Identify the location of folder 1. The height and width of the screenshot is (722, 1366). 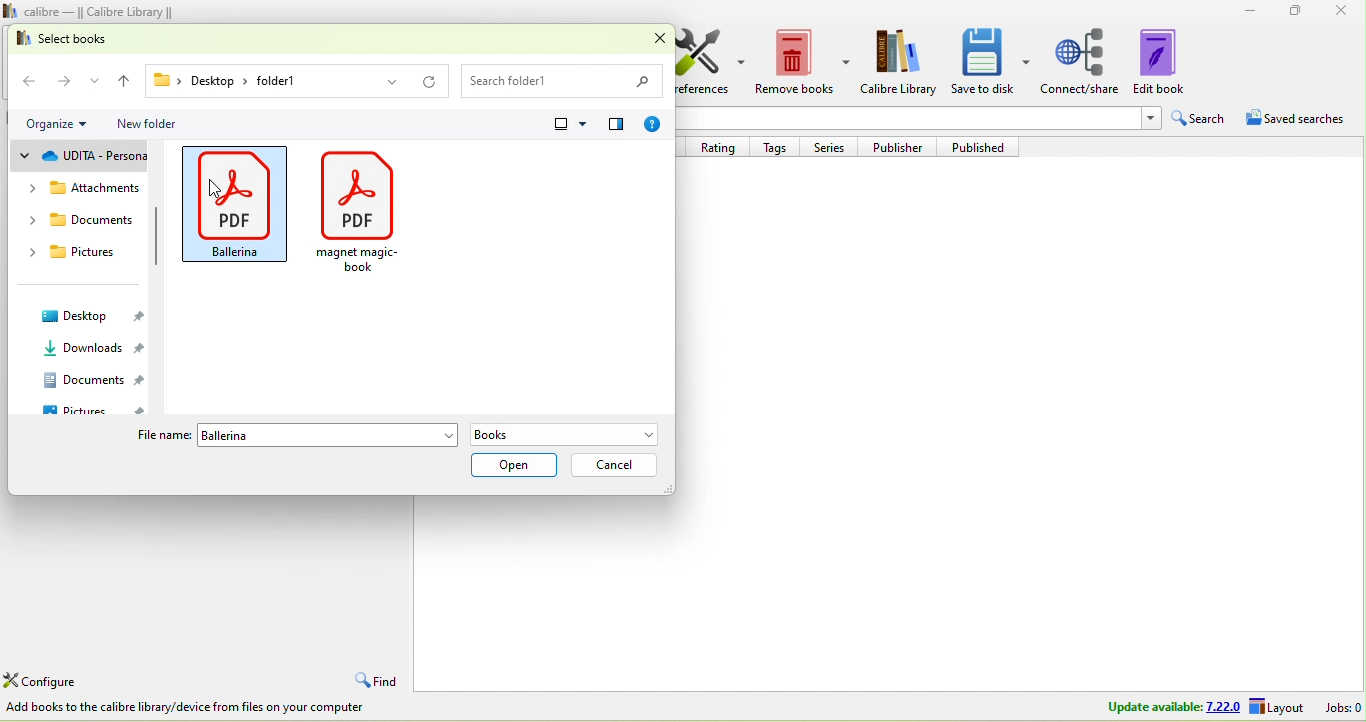
(328, 80).